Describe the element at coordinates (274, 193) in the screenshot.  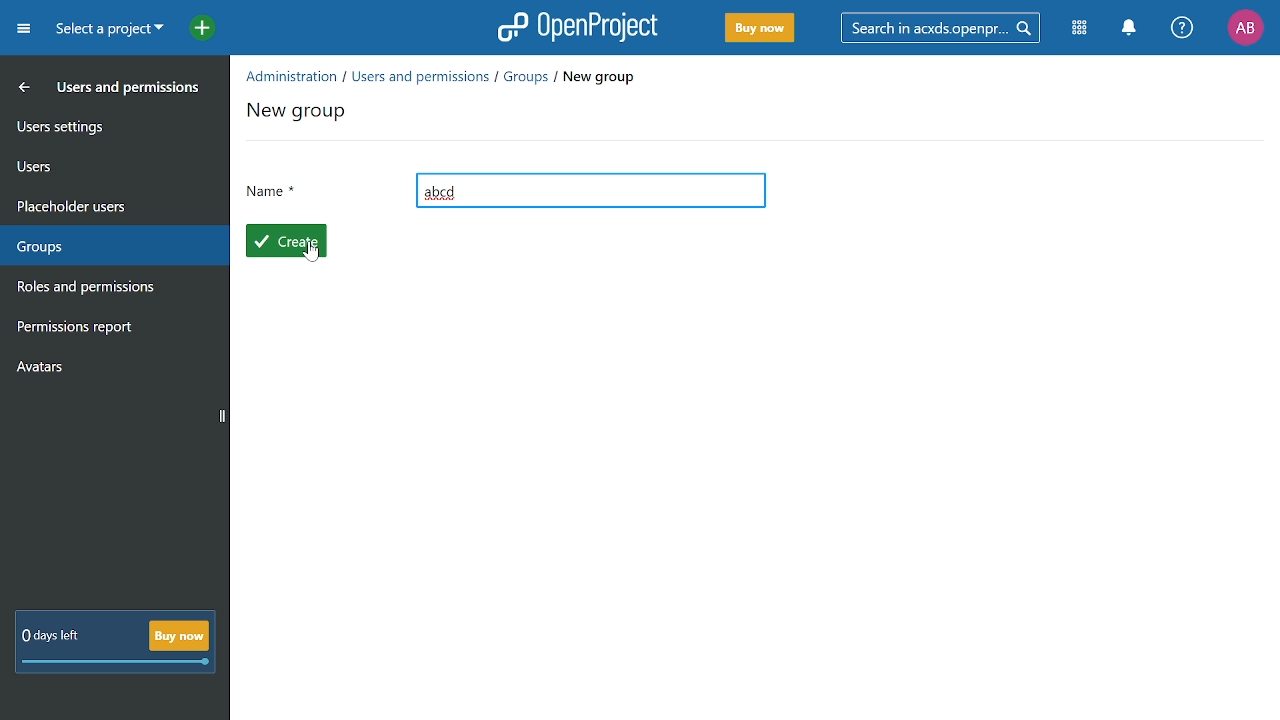
I see `Name *` at that location.